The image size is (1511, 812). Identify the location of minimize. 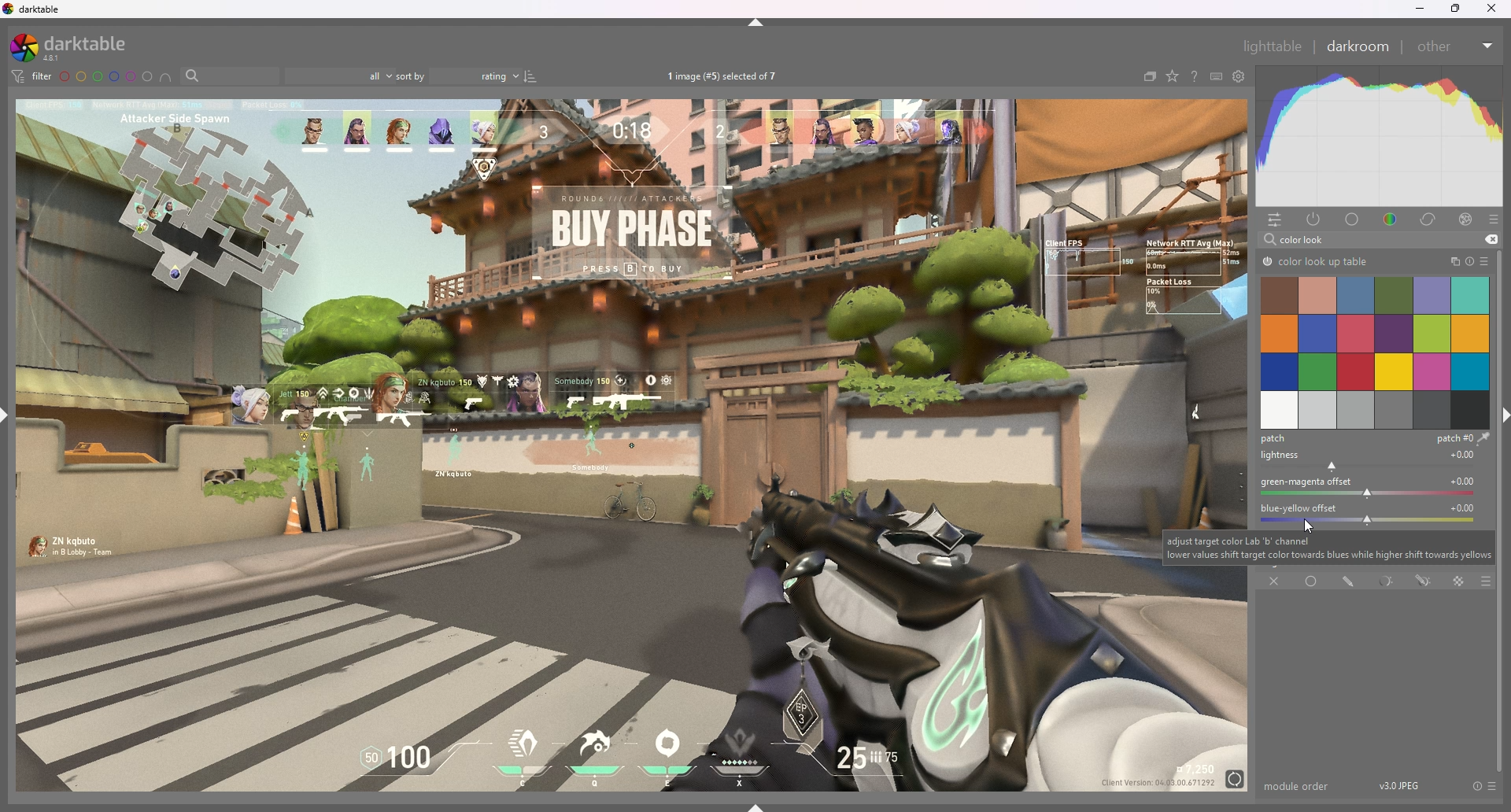
(1420, 8).